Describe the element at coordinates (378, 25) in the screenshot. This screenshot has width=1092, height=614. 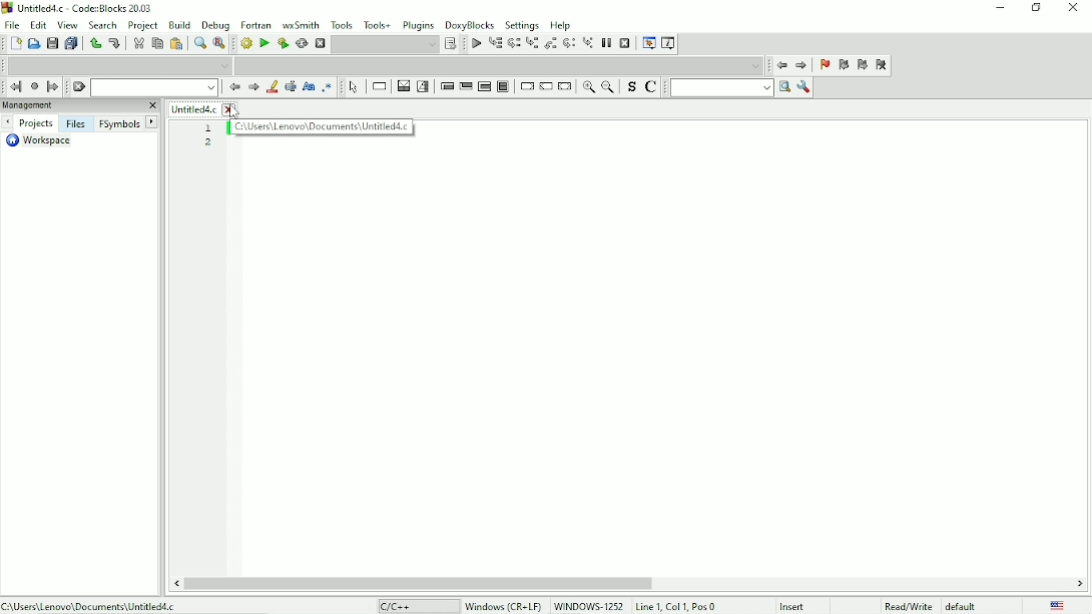
I see `Tools+` at that location.